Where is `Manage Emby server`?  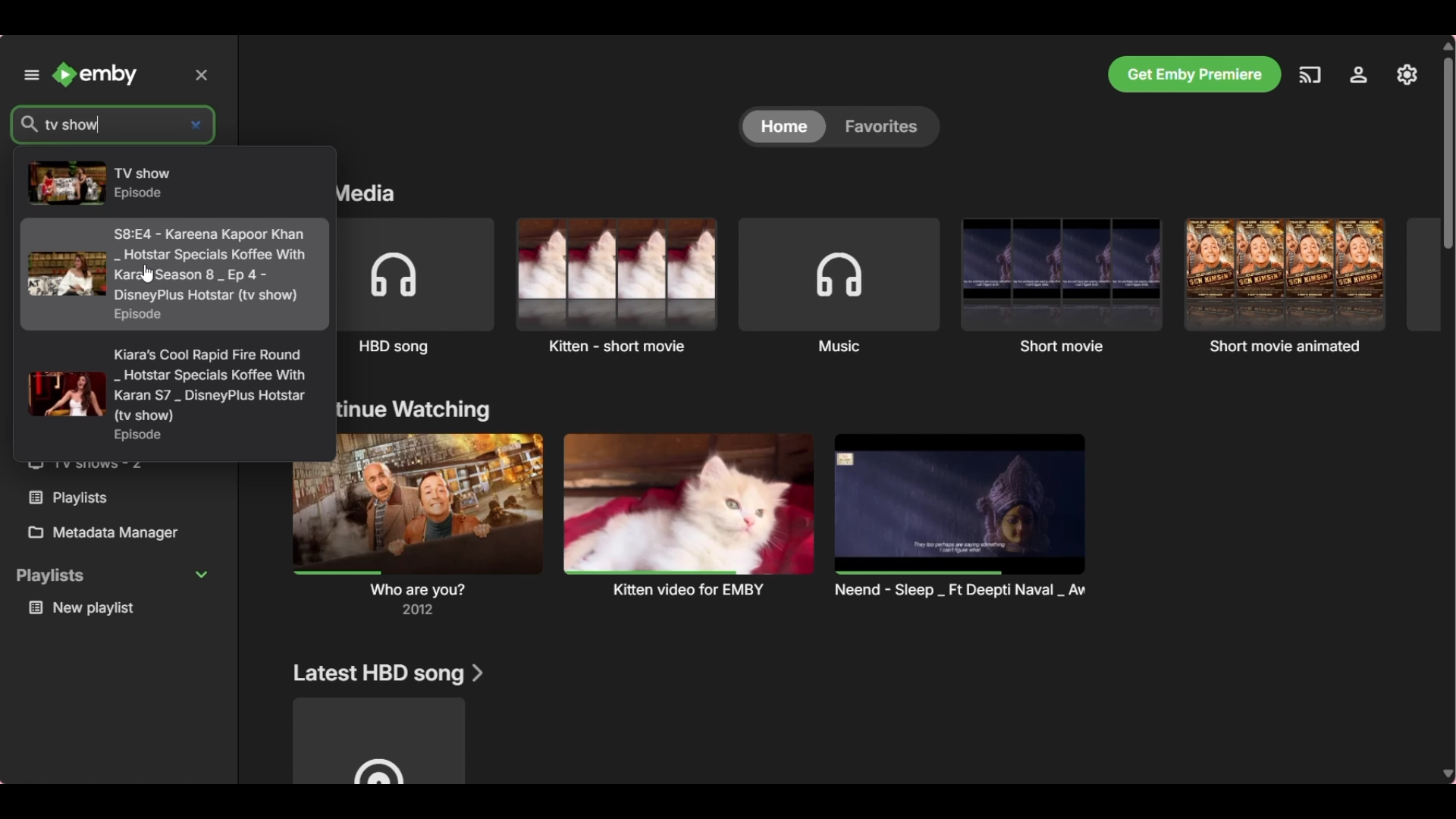
Manage Emby server is located at coordinates (1407, 74).